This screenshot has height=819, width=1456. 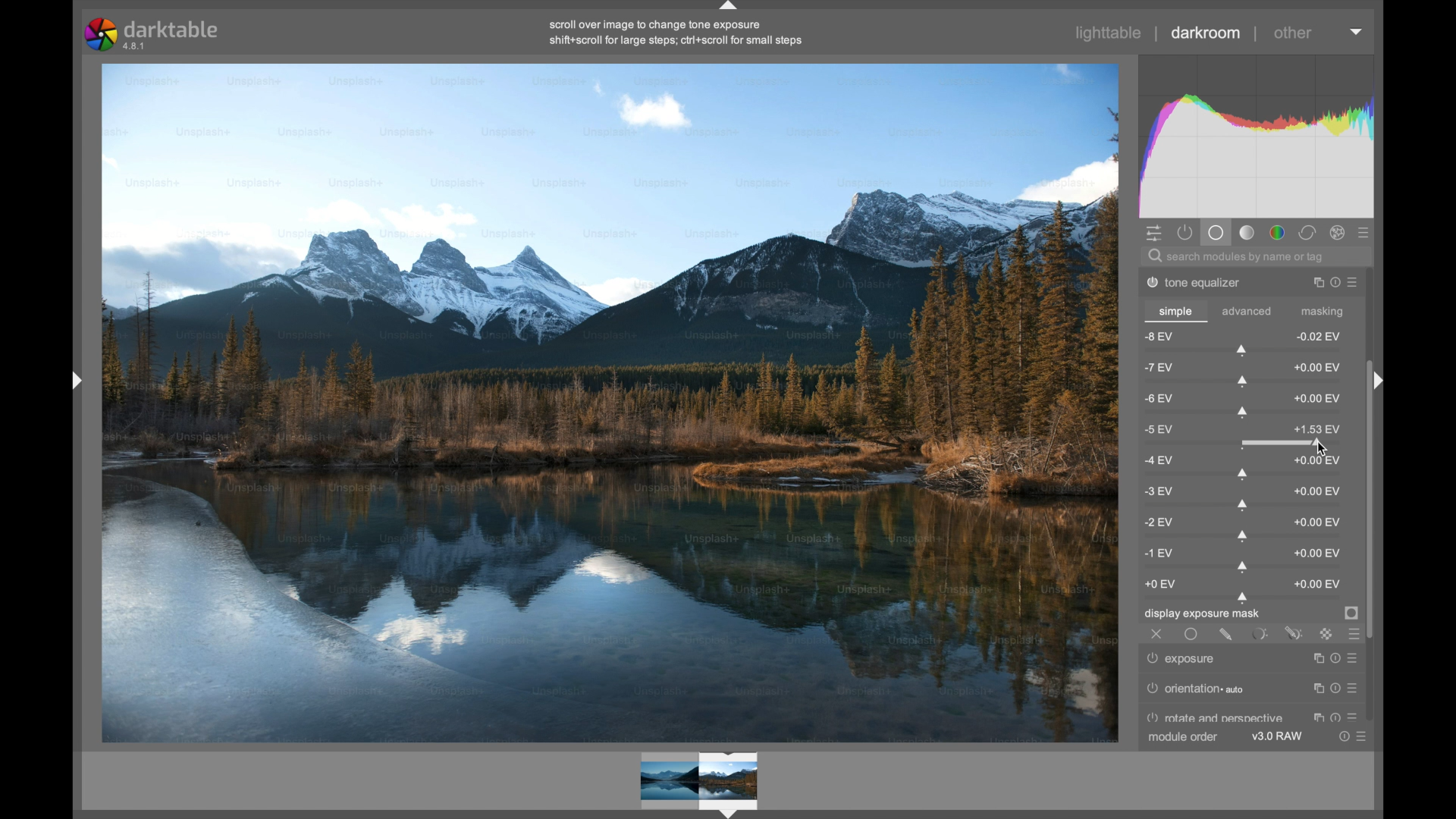 I want to click on display exposure mask, so click(x=1250, y=616).